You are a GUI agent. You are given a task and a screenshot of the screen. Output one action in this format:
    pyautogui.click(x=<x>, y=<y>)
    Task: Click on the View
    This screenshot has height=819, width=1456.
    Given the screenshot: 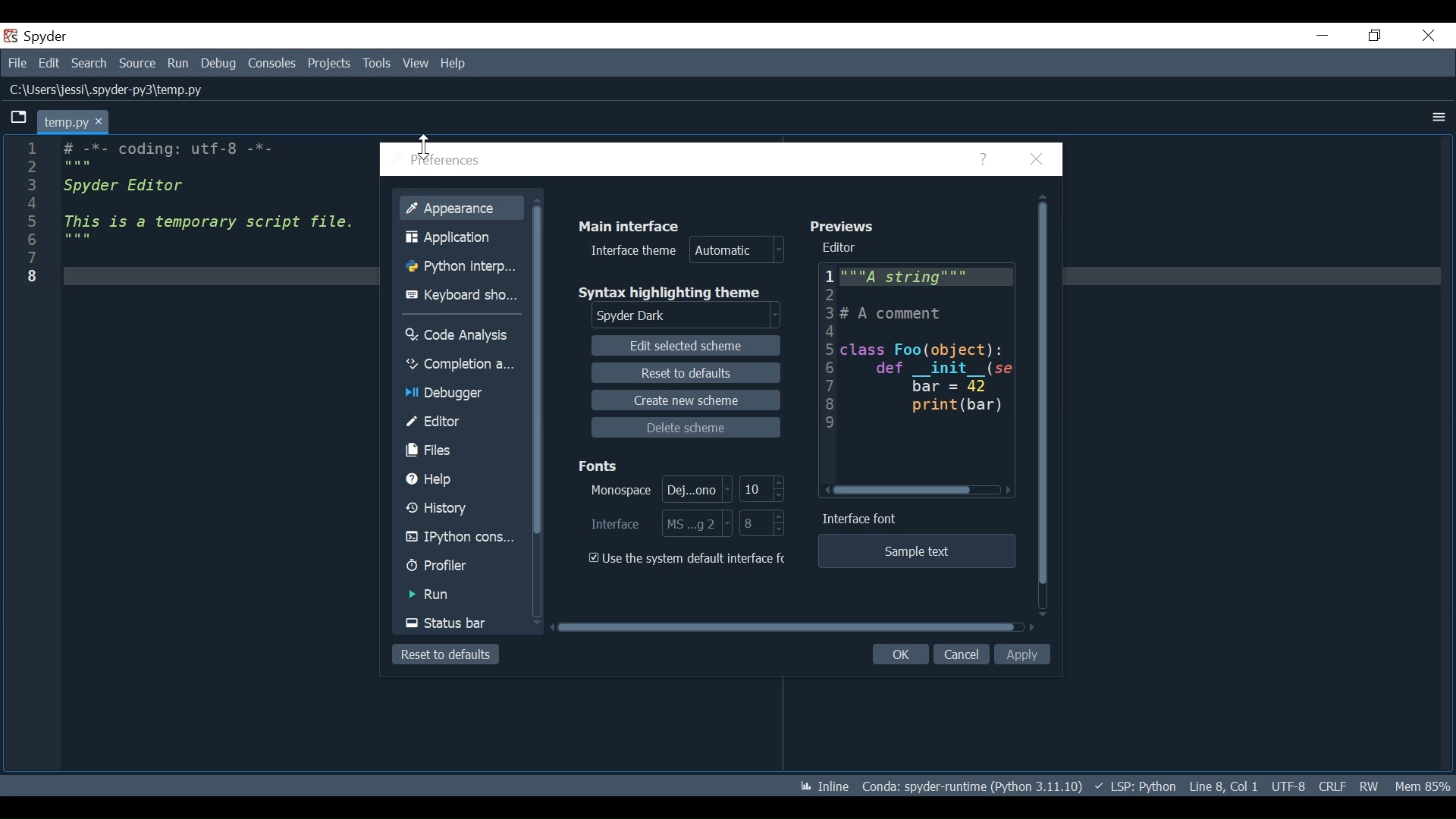 What is the action you would take?
    pyautogui.click(x=415, y=64)
    